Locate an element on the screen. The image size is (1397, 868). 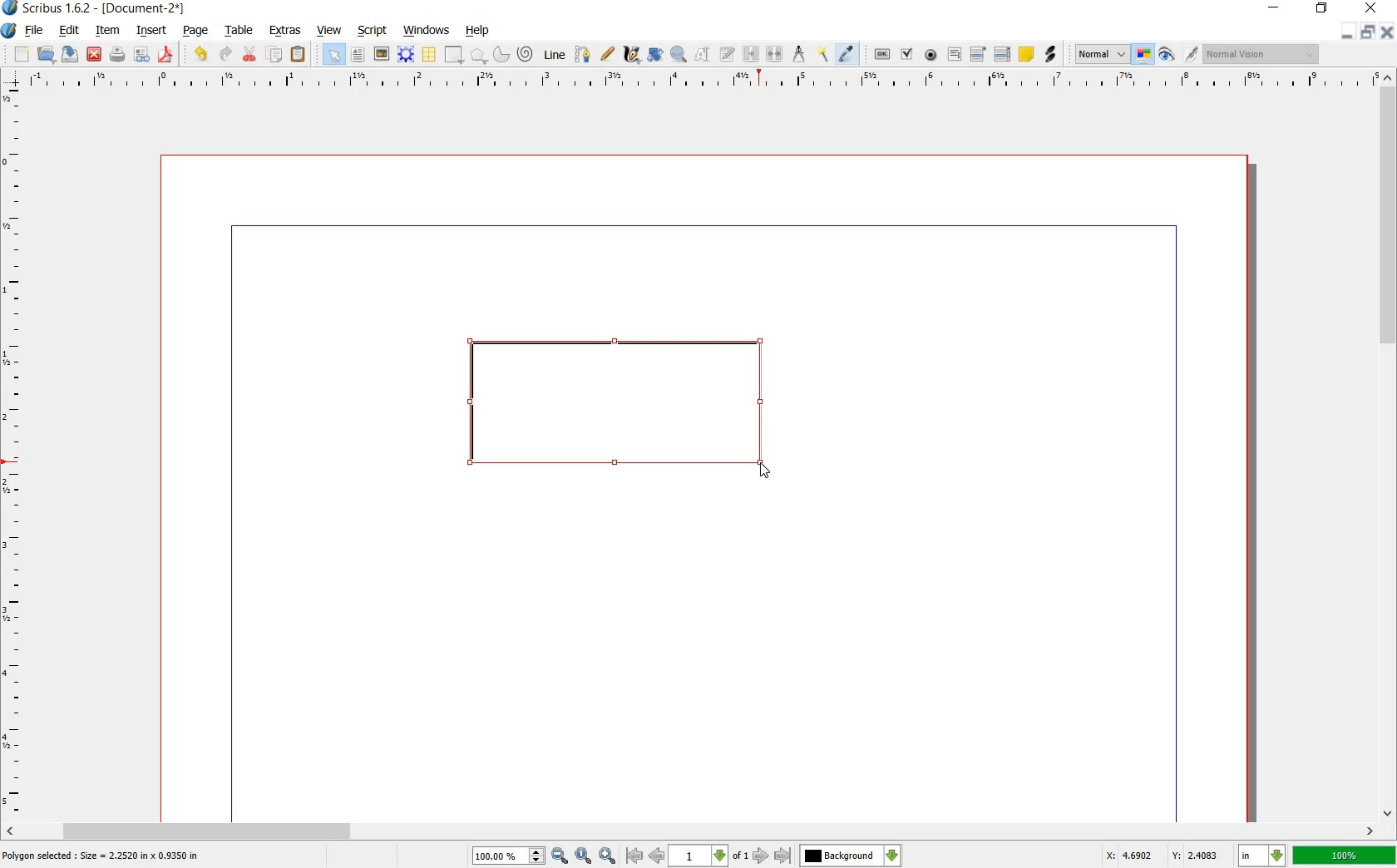
SAVE AS PDF is located at coordinates (168, 55).